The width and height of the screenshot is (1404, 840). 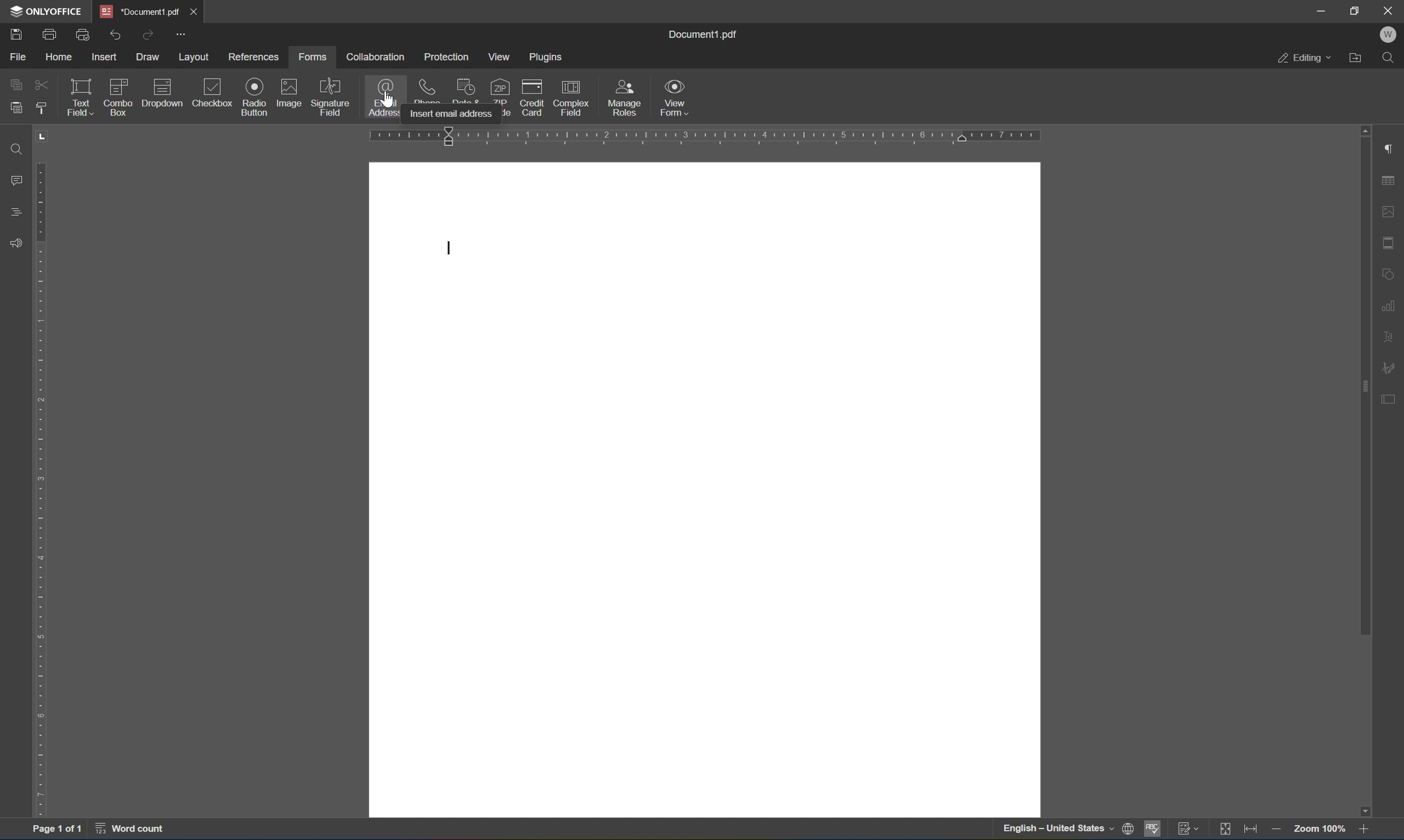 What do you see at coordinates (213, 91) in the screenshot?
I see `checkbox` at bounding box center [213, 91].